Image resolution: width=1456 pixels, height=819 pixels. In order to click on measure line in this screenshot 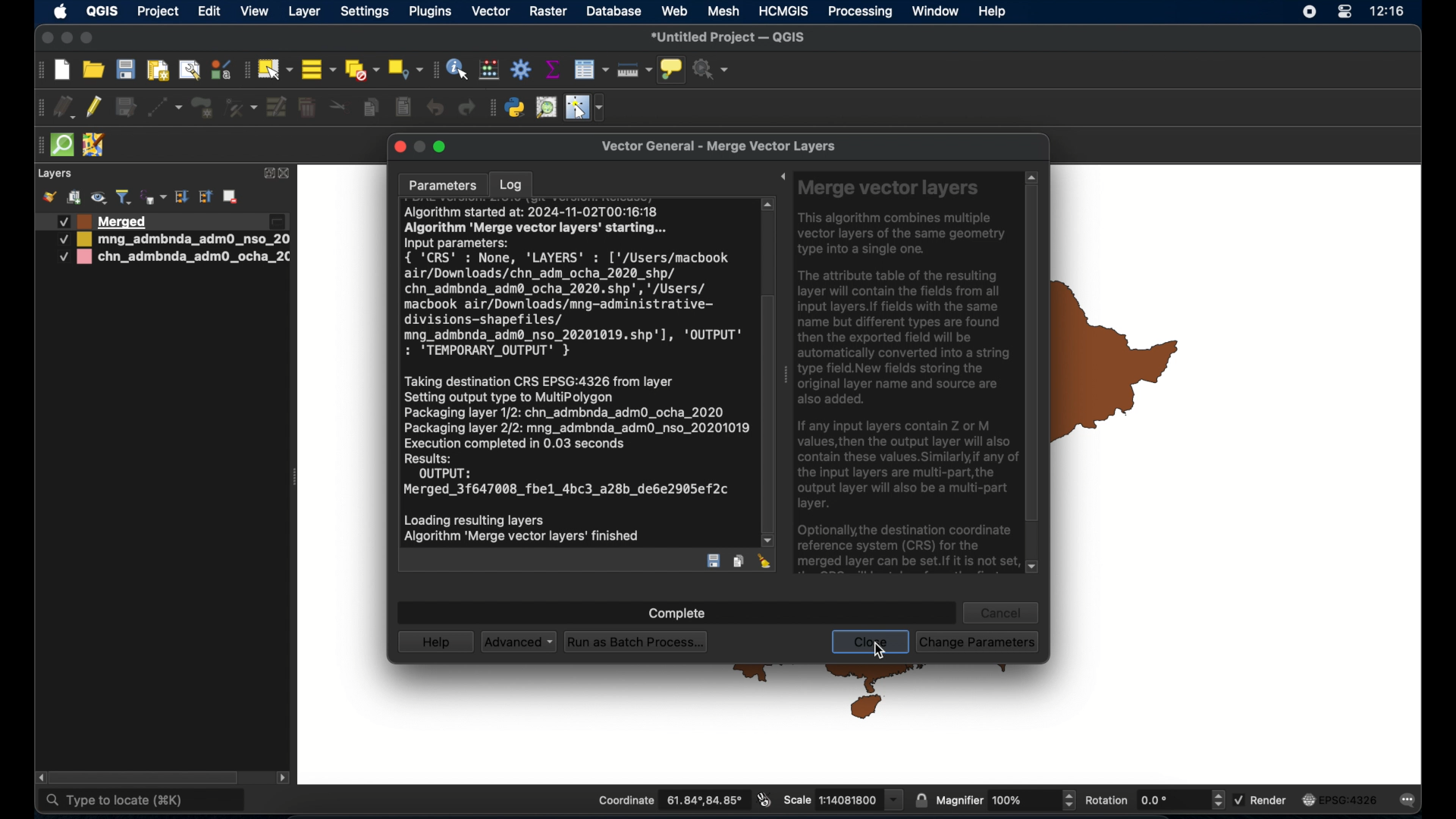, I will do `click(634, 71)`.